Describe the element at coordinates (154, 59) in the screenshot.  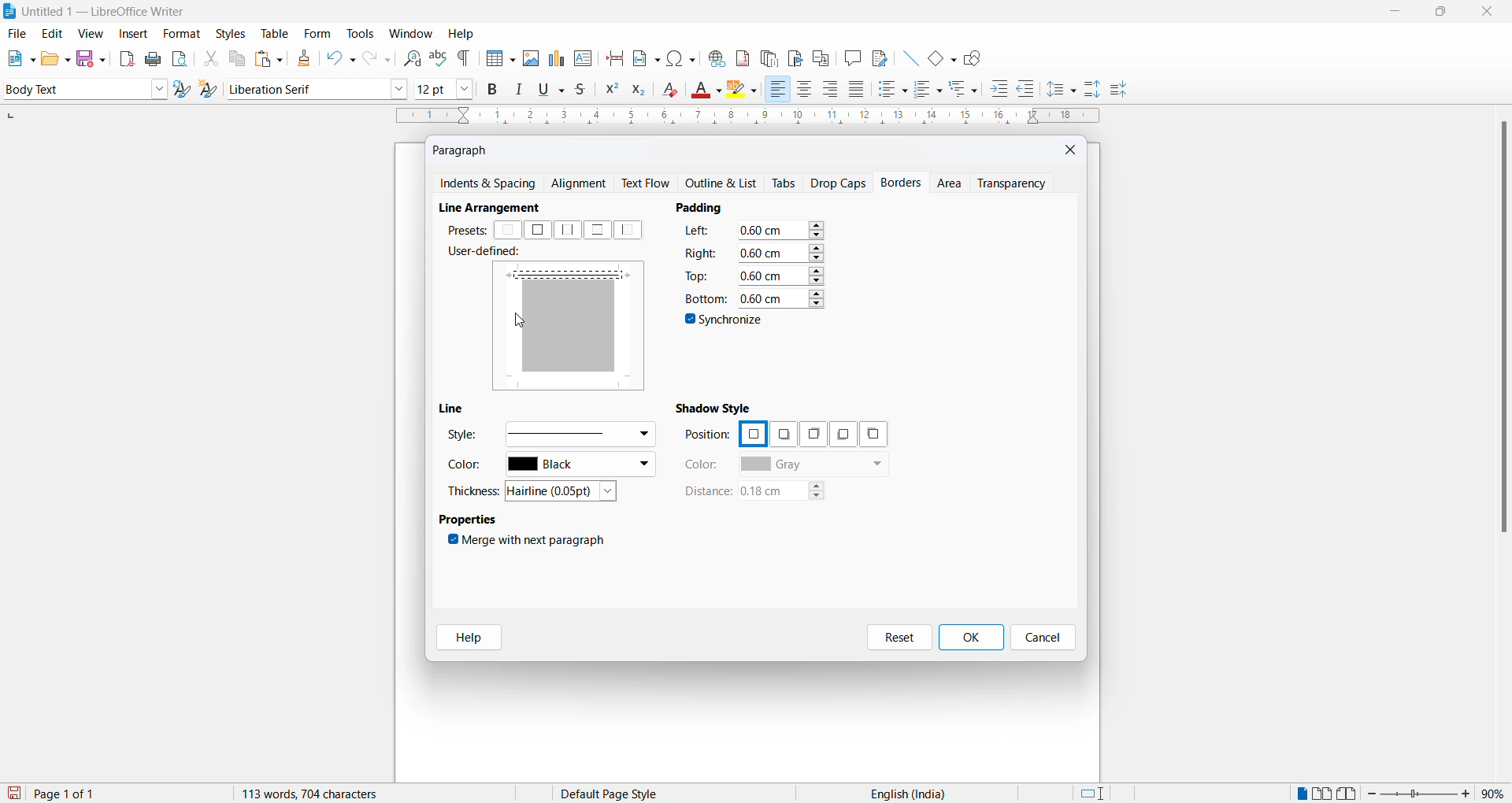
I see `print` at that location.